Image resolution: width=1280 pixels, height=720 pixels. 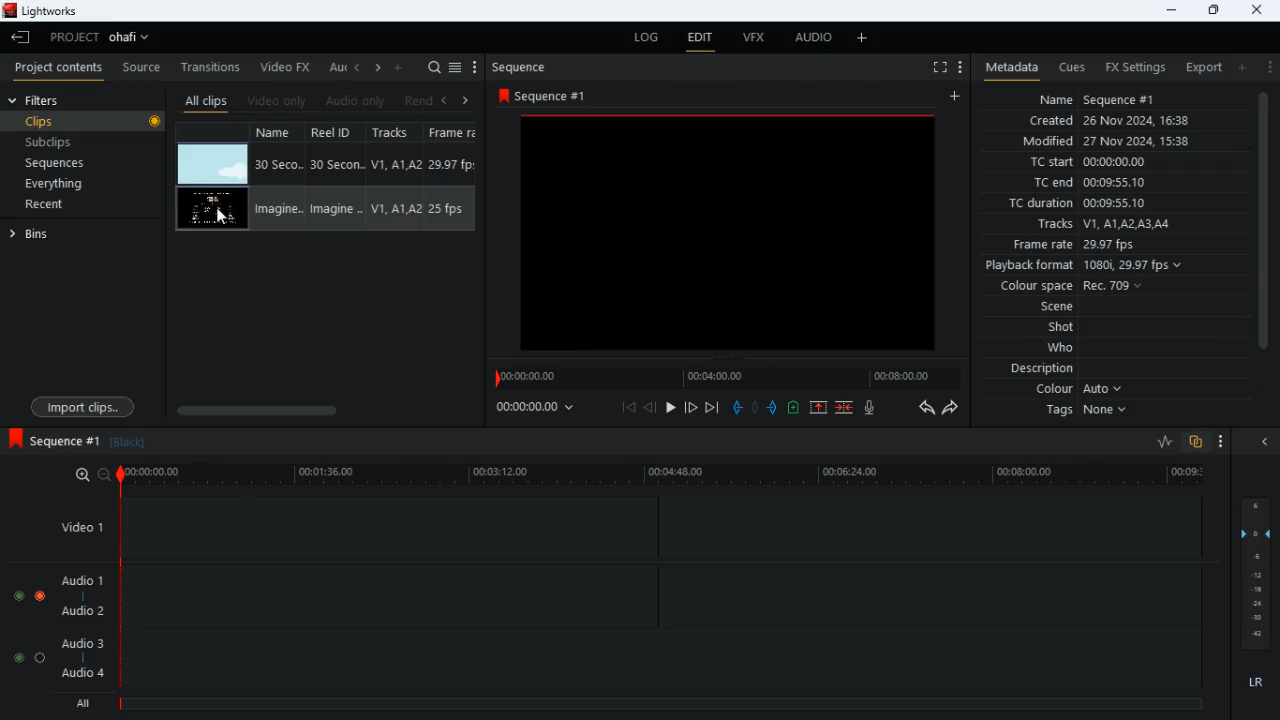 What do you see at coordinates (21, 35) in the screenshot?
I see `leave` at bounding box center [21, 35].